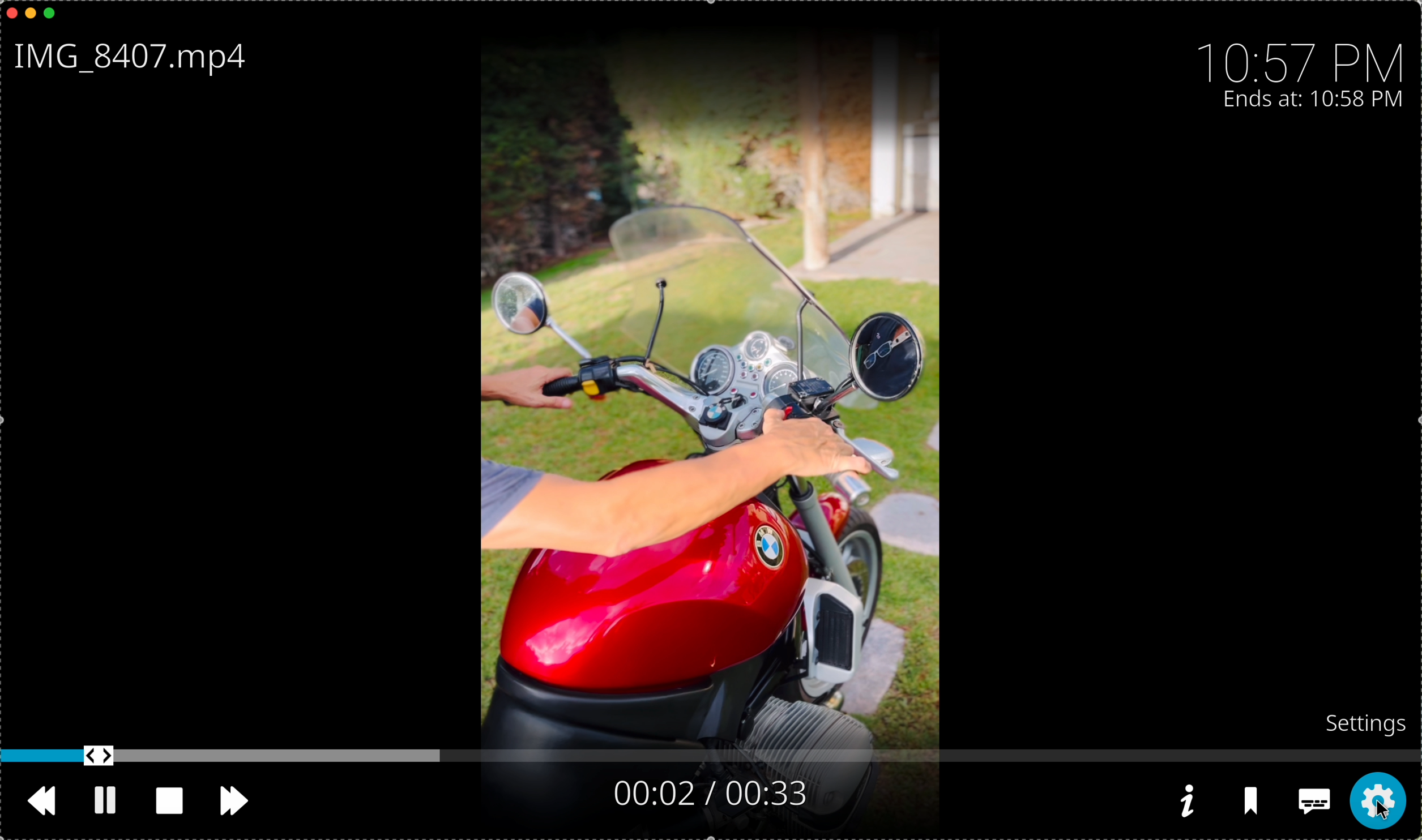 Image resolution: width=1422 pixels, height=840 pixels. Describe the element at coordinates (1367, 722) in the screenshot. I see `settings` at that location.